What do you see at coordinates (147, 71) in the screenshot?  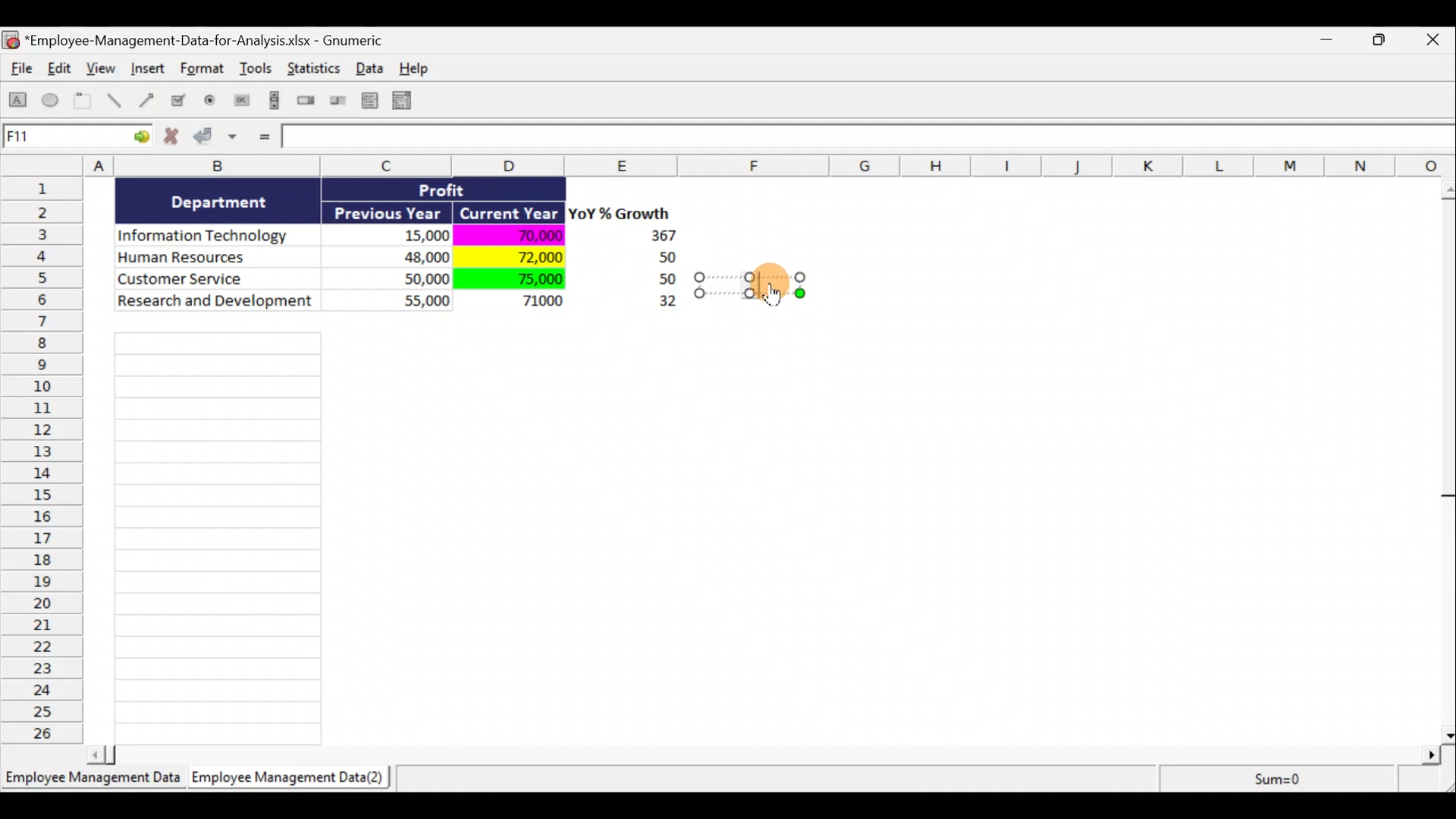 I see `Insert` at bounding box center [147, 71].